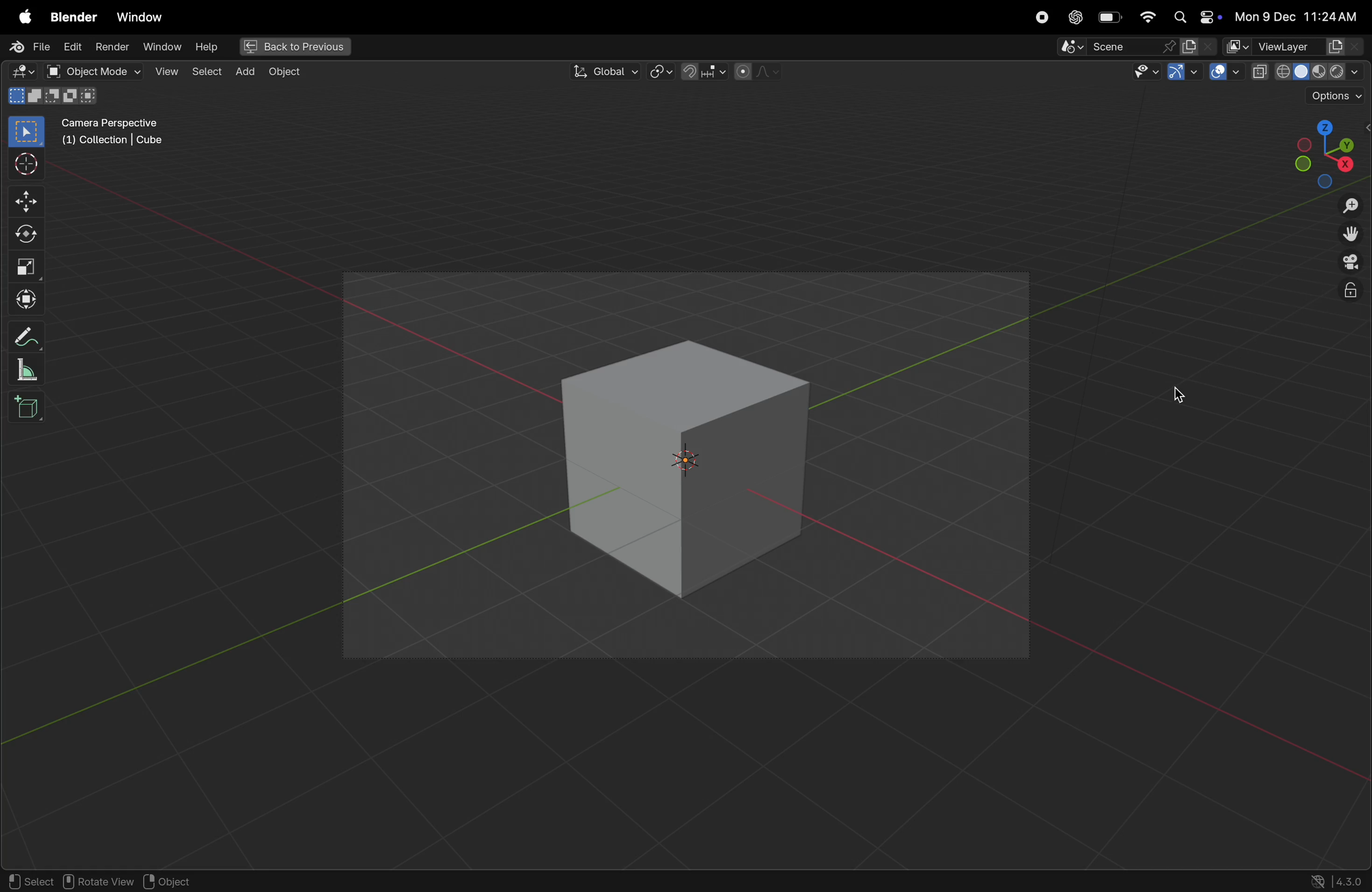 This screenshot has height=892, width=1372. What do you see at coordinates (1148, 16) in the screenshot?
I see `wifi` at bounding box center [1148, 16].